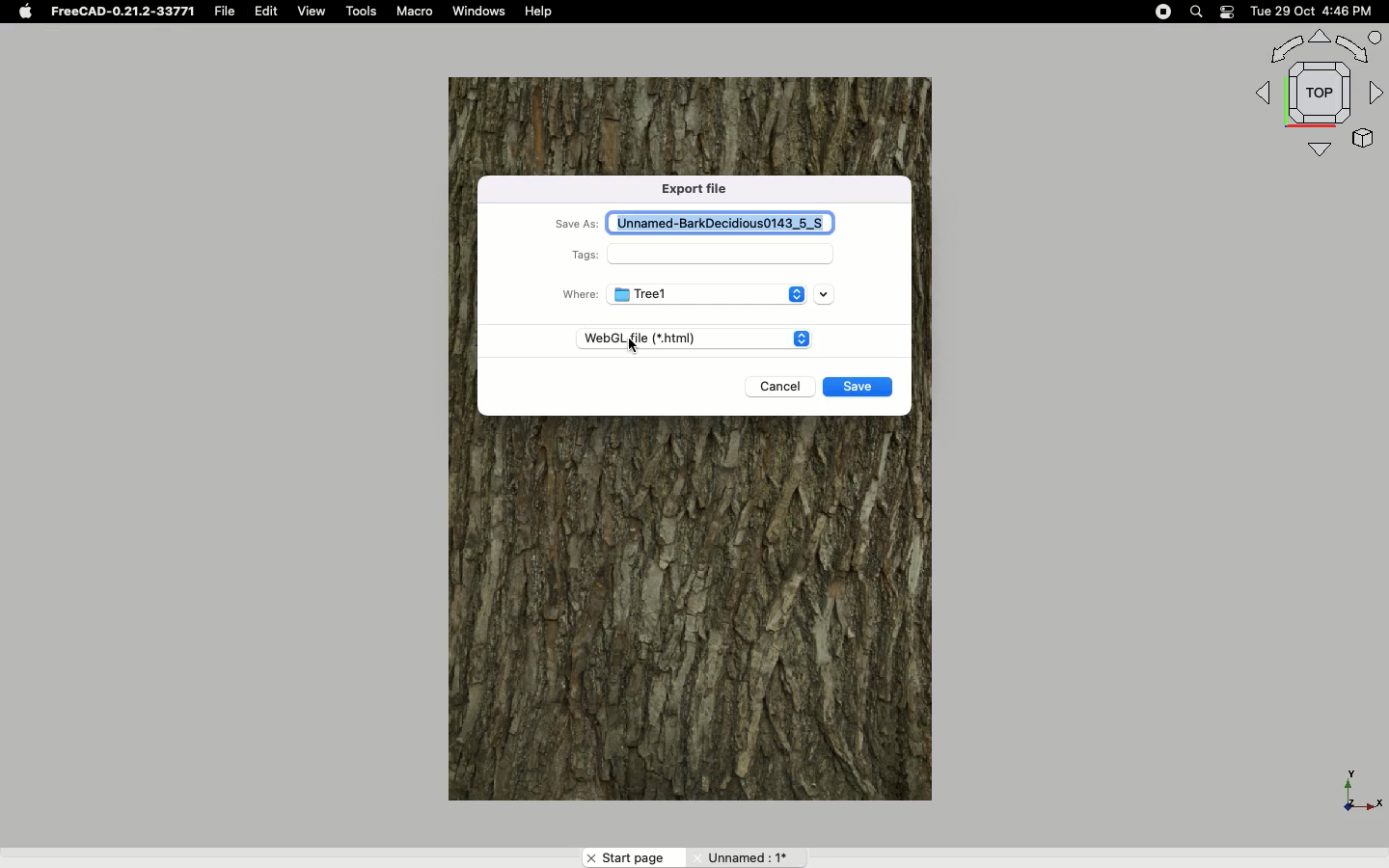 This screenshot has width=1389, height=868. I want to click on FreeCAD-0.21.2-33771, so click(121, 12).